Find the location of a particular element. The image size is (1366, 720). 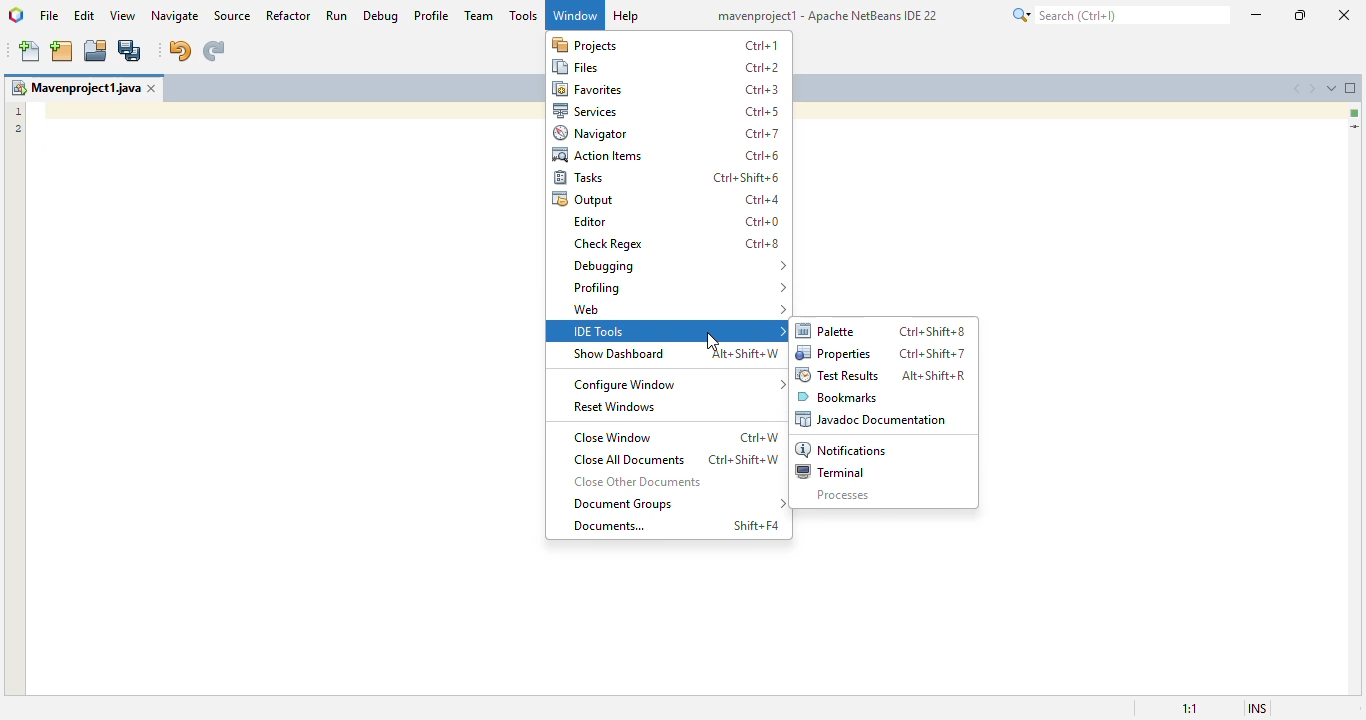

close is located at coordinates (1342, 16).